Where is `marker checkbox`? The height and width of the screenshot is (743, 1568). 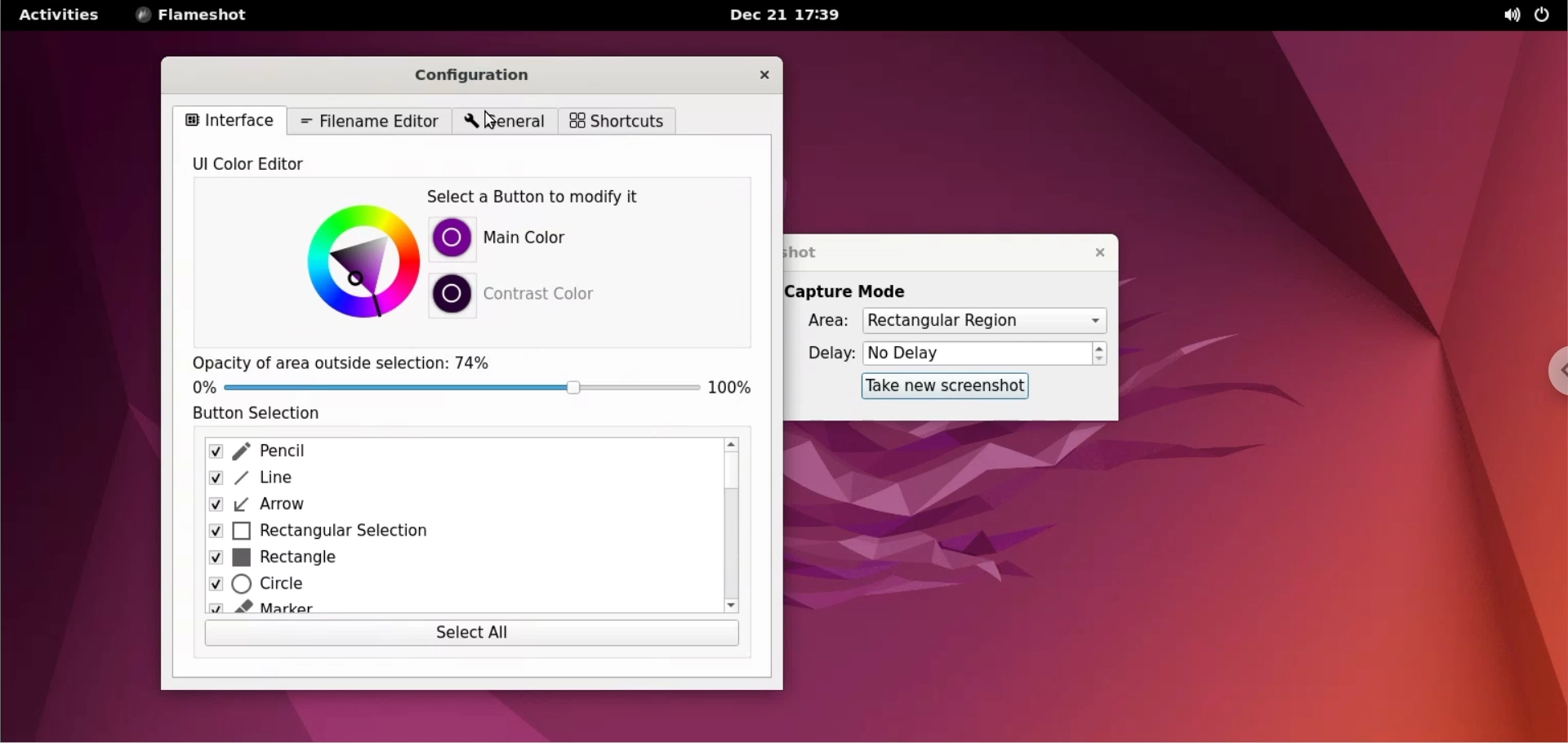 marker checkbox is located at coordinates (457, 605).